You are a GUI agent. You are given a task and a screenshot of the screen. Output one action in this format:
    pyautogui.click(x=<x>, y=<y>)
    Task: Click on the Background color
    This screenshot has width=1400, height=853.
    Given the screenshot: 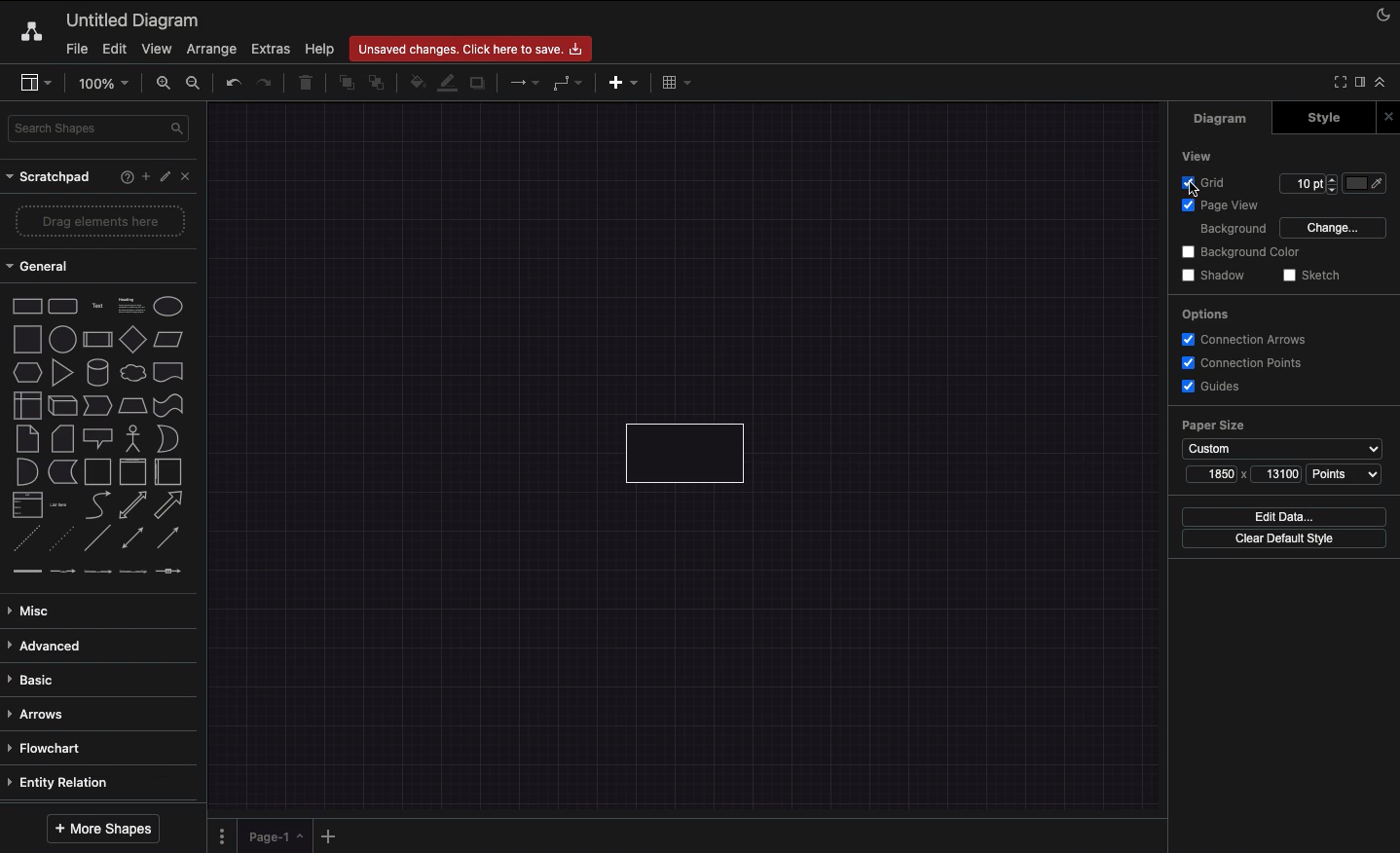 What is the action you would take?
    pyautogui.click(x=1243, y=252)
    